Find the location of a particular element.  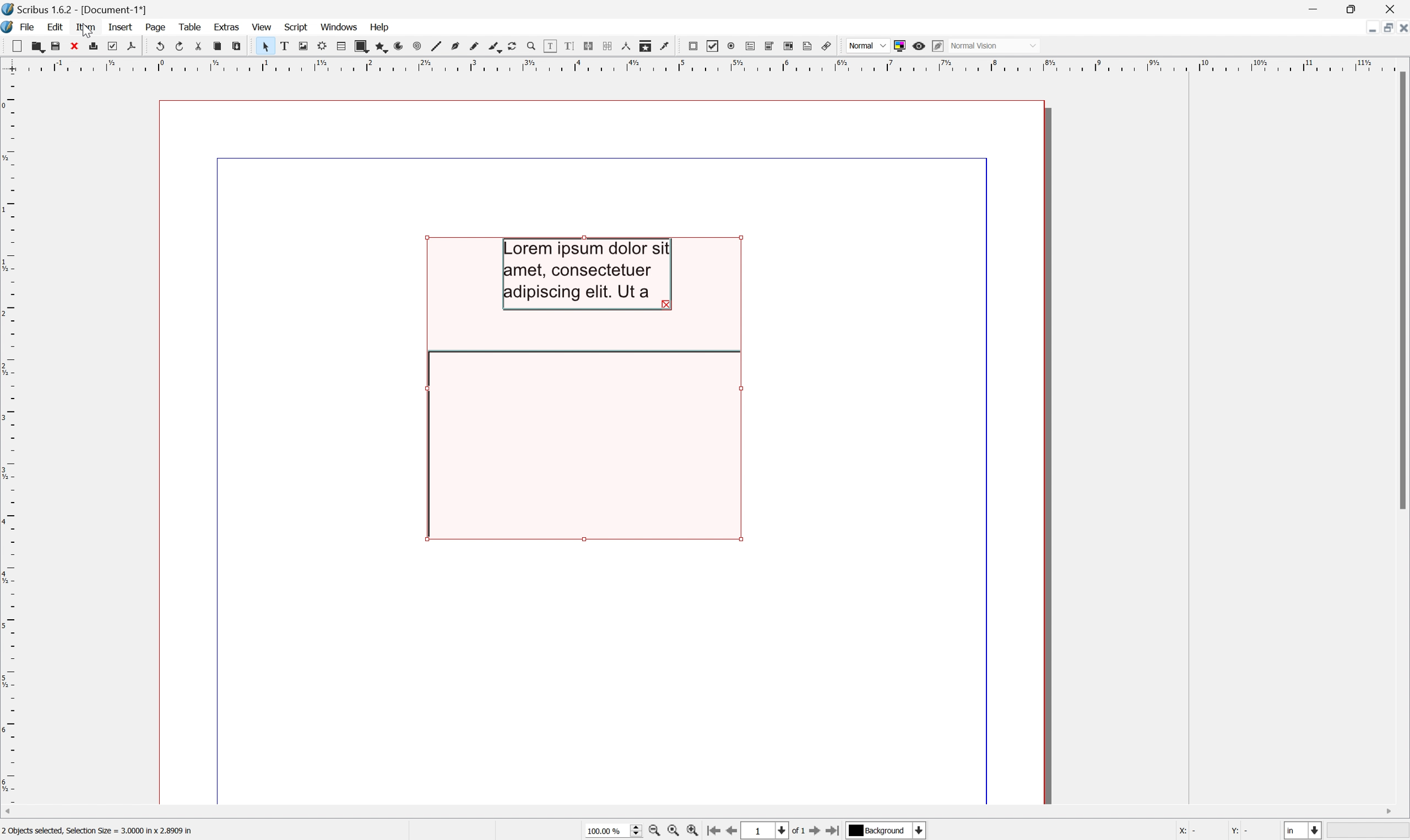

Text annotation is located at coordinates (810, 46).